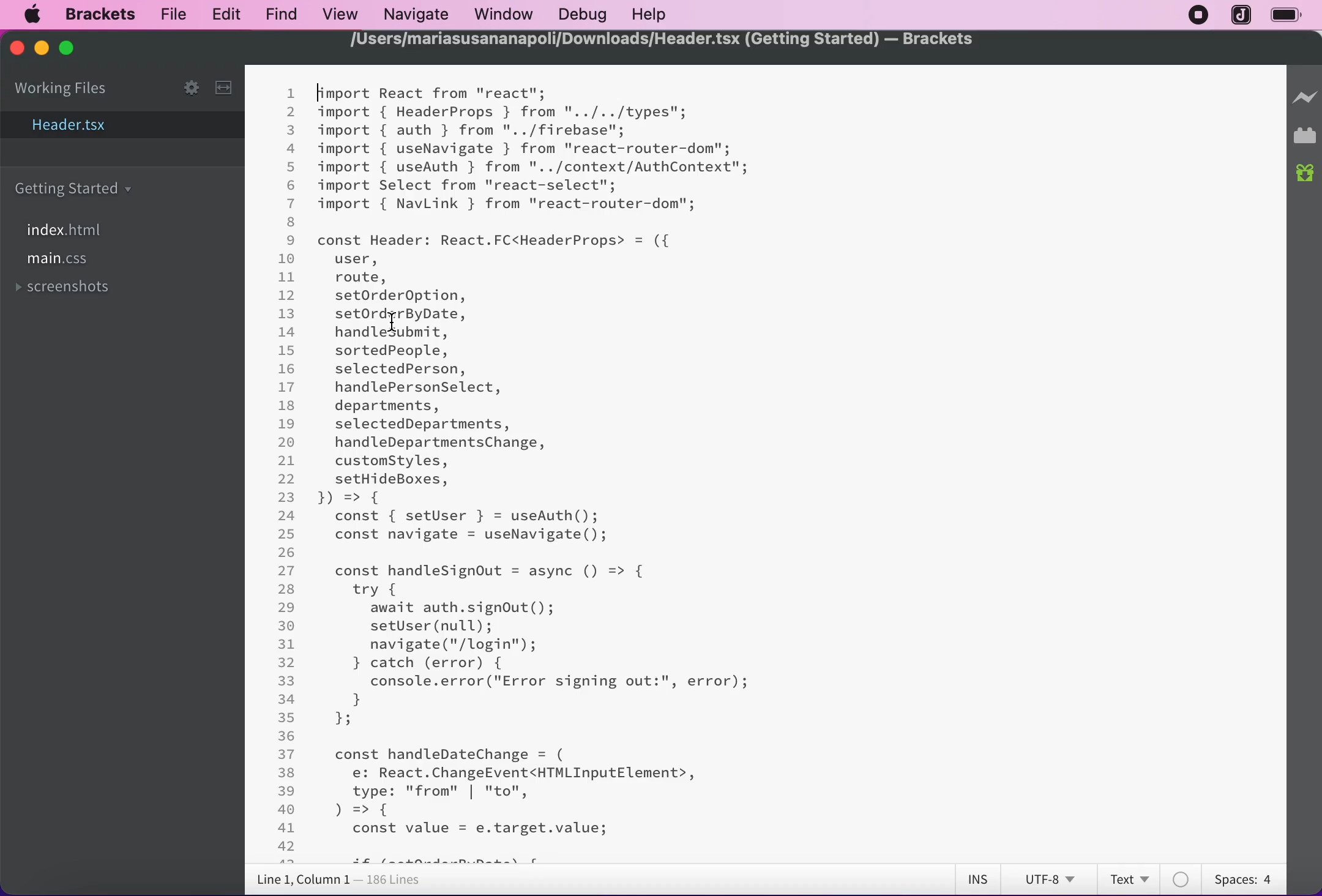 The image size is (1322, 896). I want to click on 4, so click(292, 149).